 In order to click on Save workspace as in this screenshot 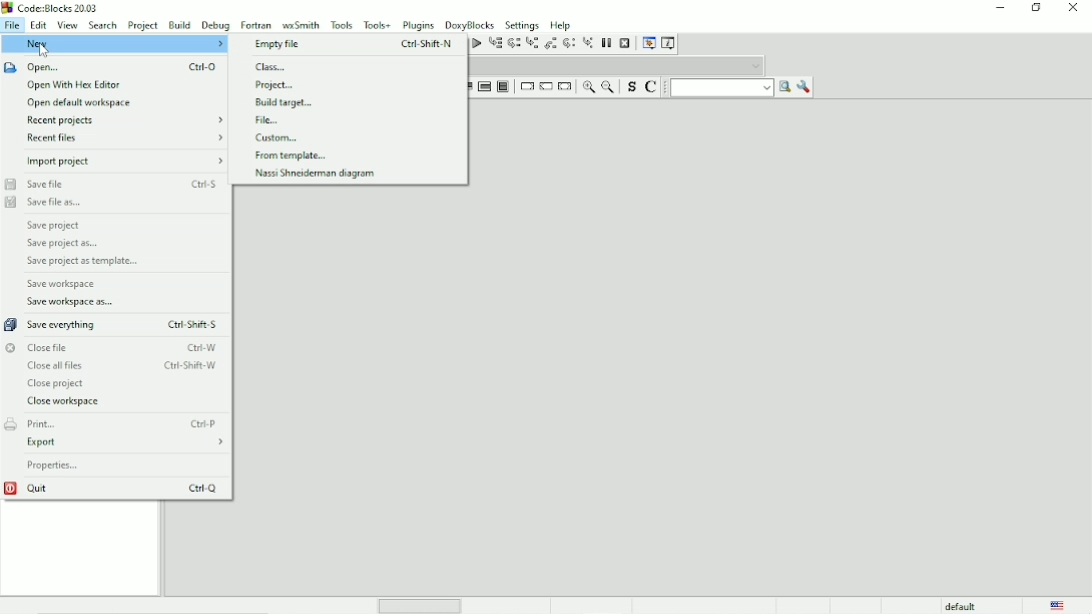, I will do `click(73, 302)`.